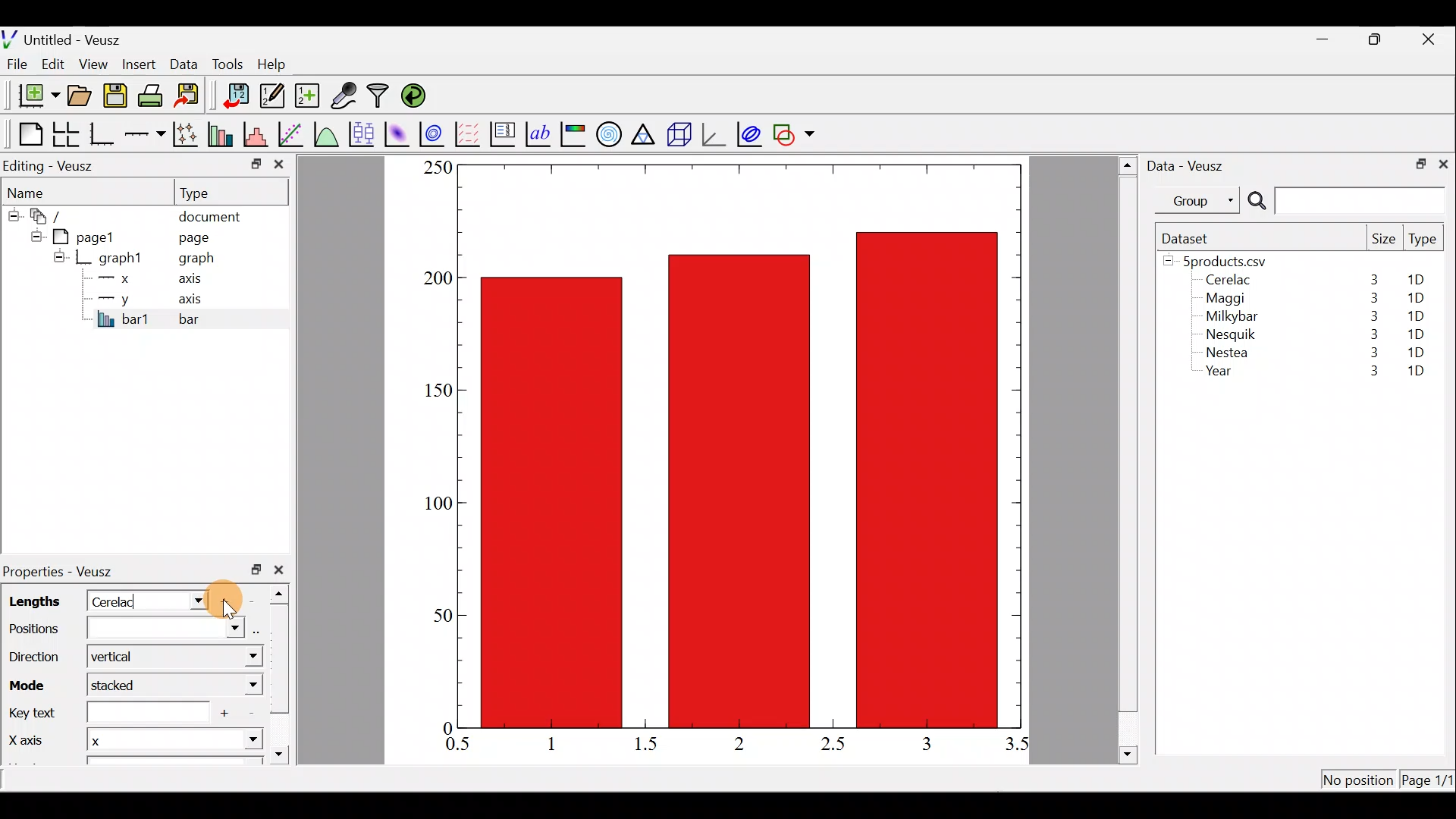 The width and height of the screenshot is (1456, 819). I want to click on restore down, so click(1416, 162).